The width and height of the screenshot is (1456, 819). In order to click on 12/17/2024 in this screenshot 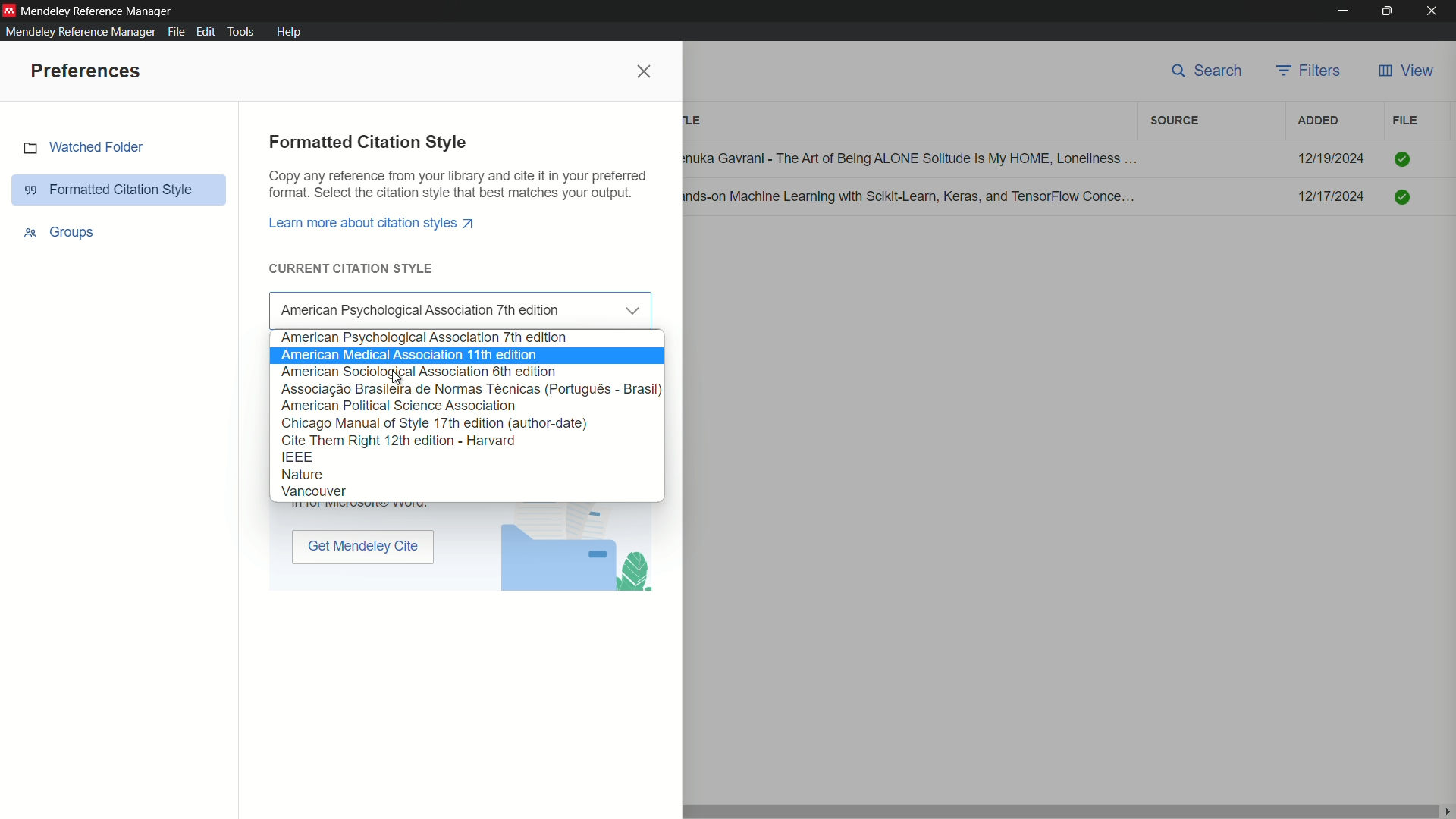, I will do `click(1332, 196)`.